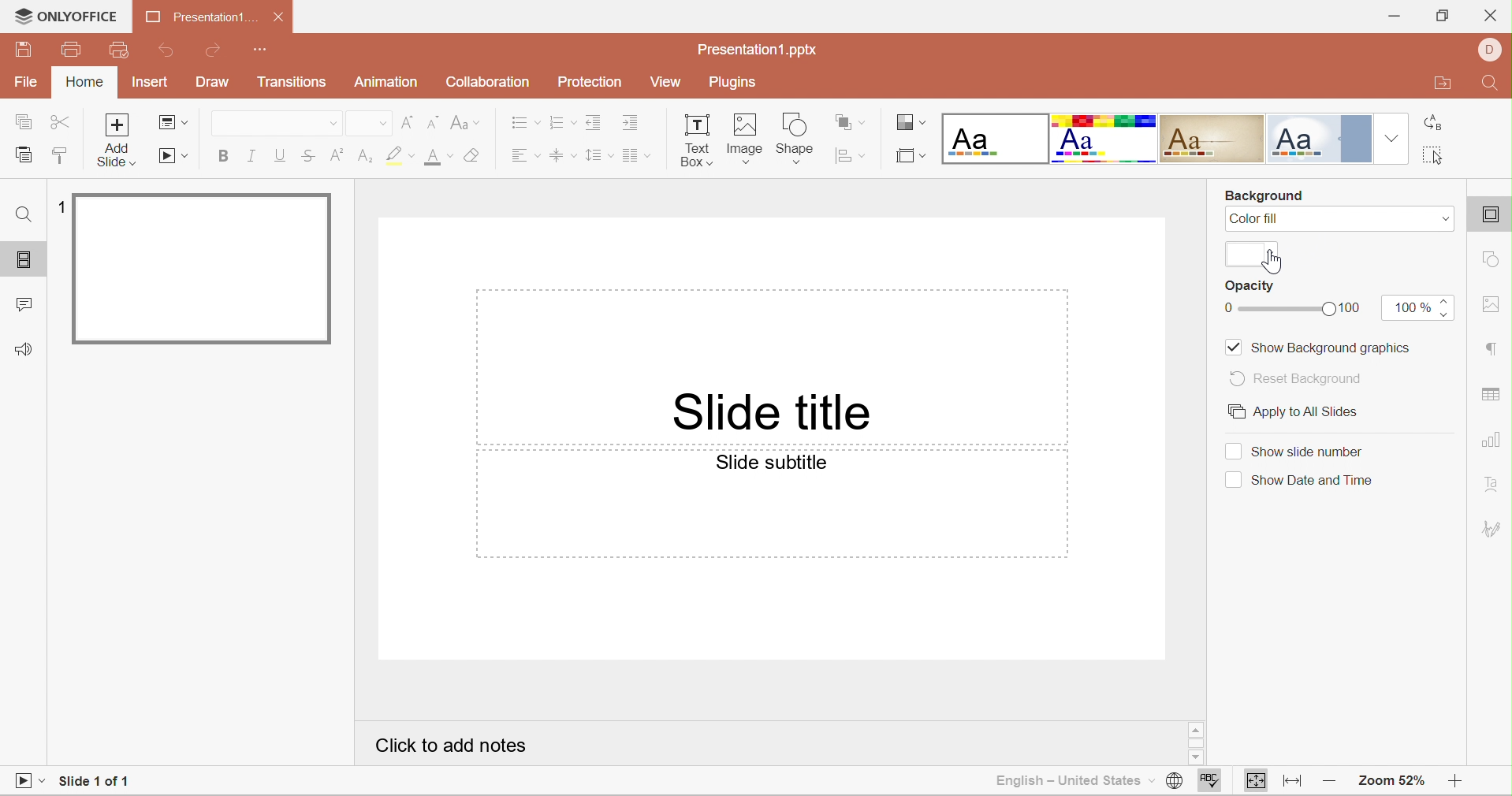 The width and height of the screenshot is (1512, 796). Describe the element at coordinates (995, 138) in the screenshot. I see `Blank` at that location.